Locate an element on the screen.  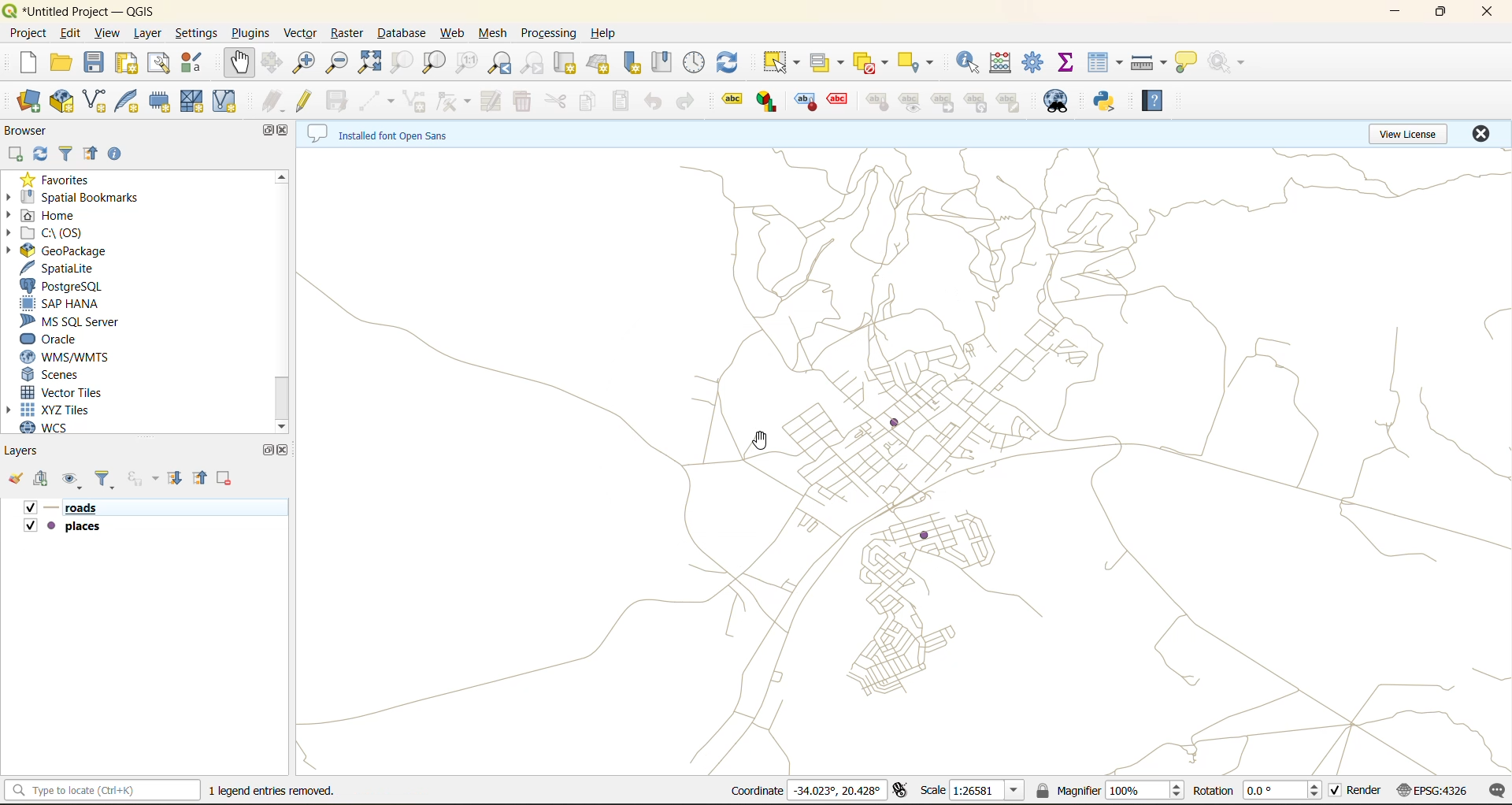
spatialite is located at coordinates (67, 269).